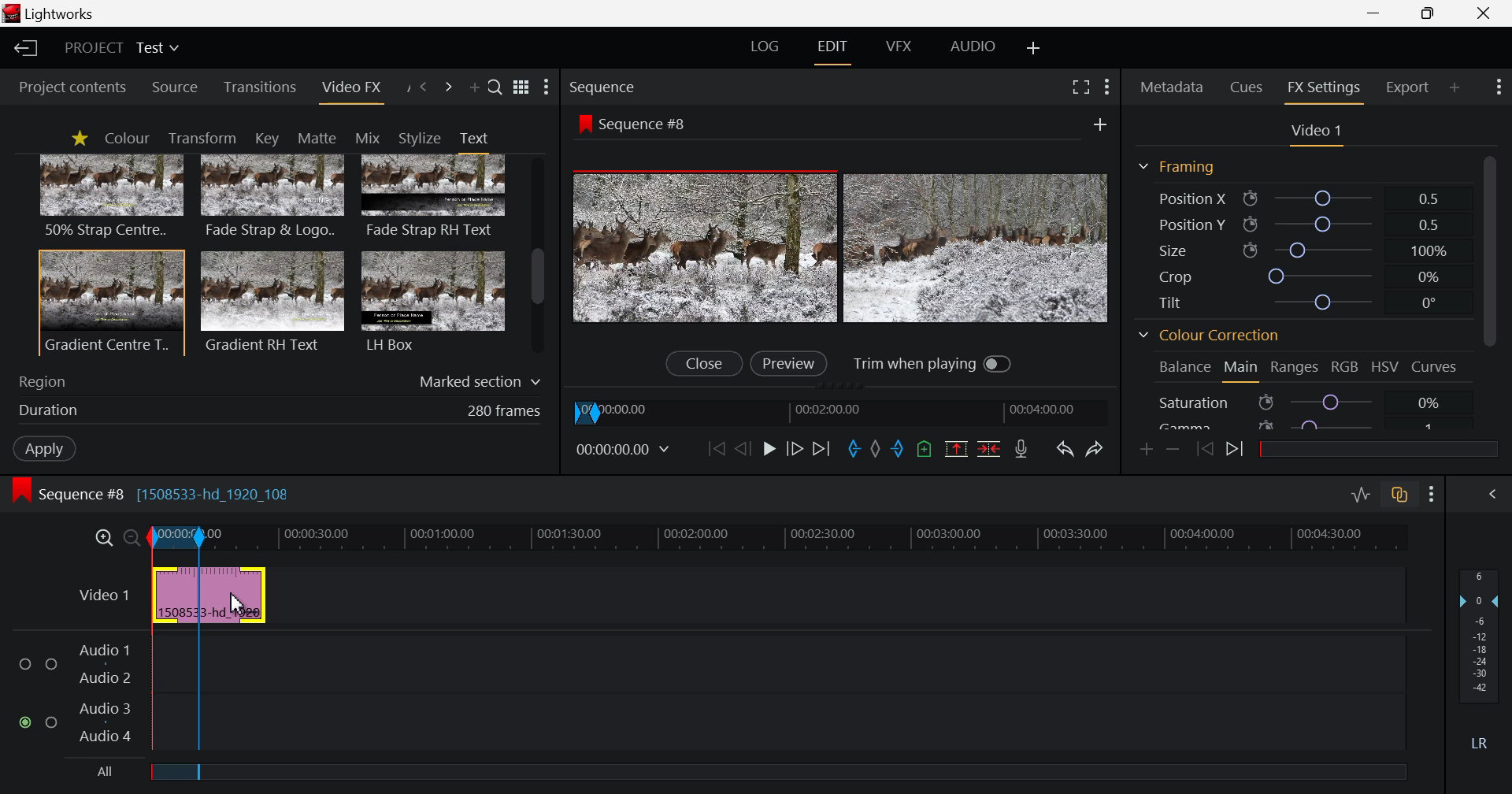  What do you see at coordinates (1065, 449) in the screenshot?
I see `Undo` at bounding box center [1065, 449].